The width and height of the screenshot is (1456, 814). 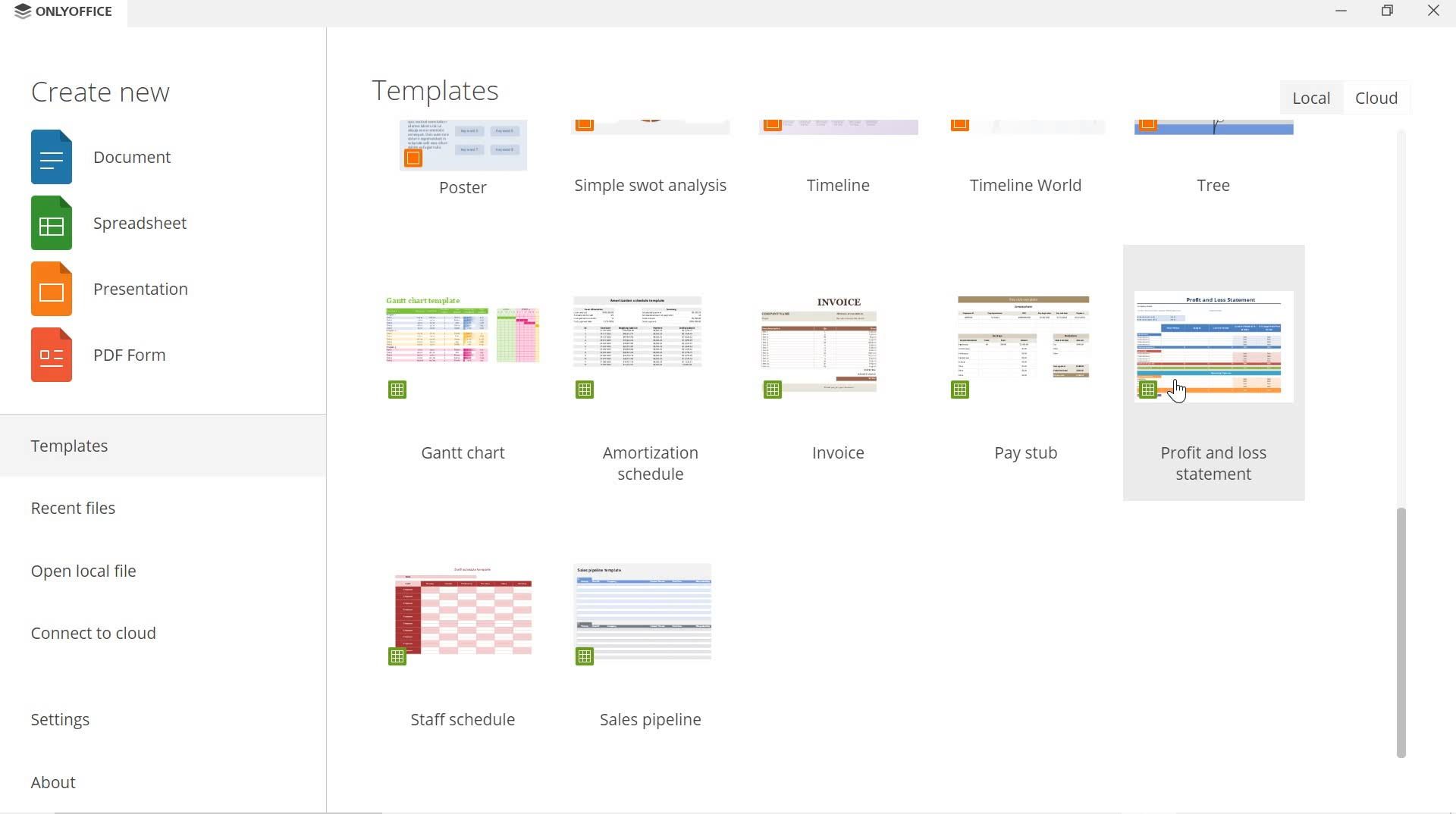 I want to click on Local, so click(x=1313, y=97).